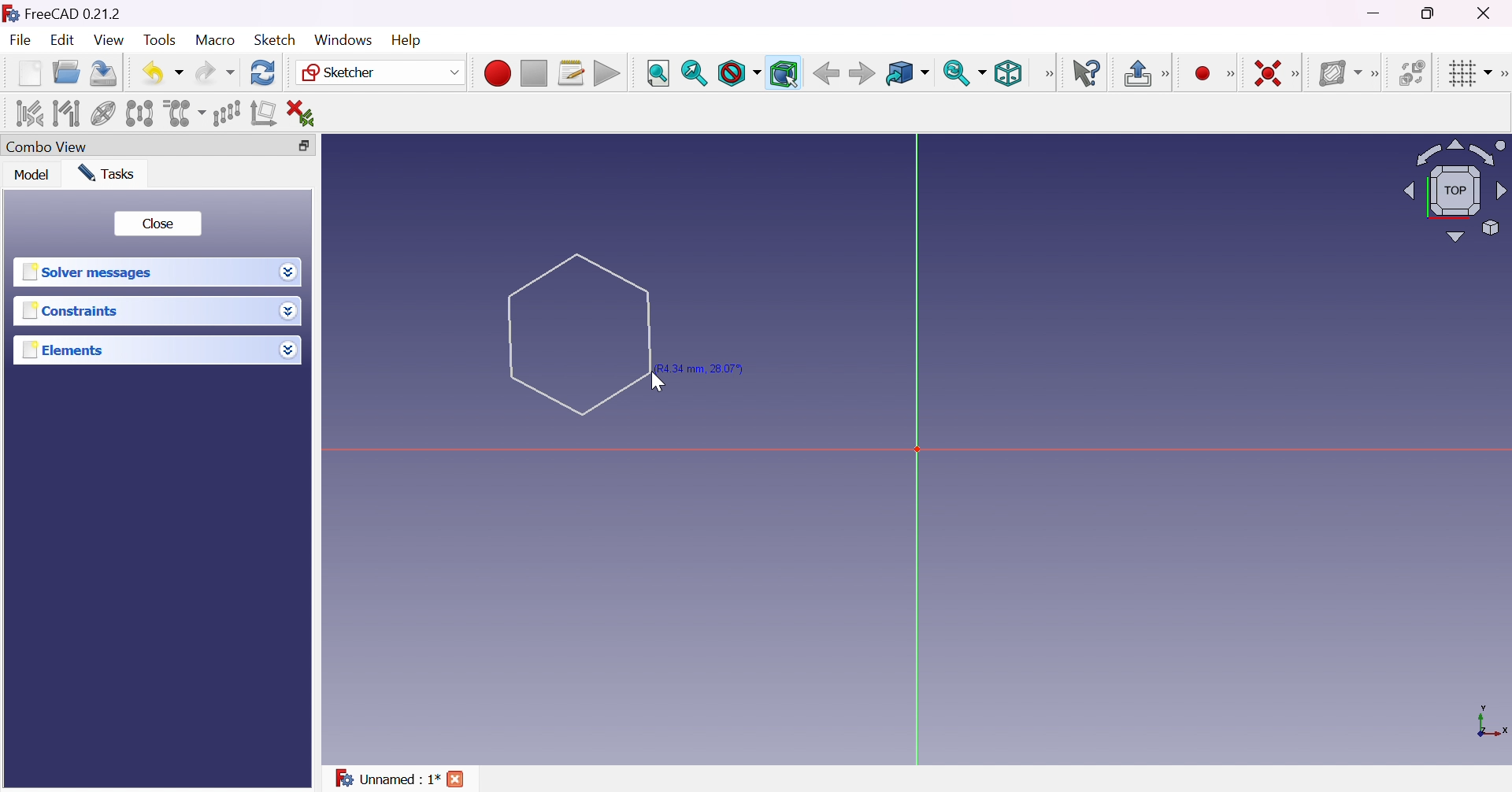 Image resolution: width=1512 pixels, height=792 pixels. I want to click on New, so click(31, 76).